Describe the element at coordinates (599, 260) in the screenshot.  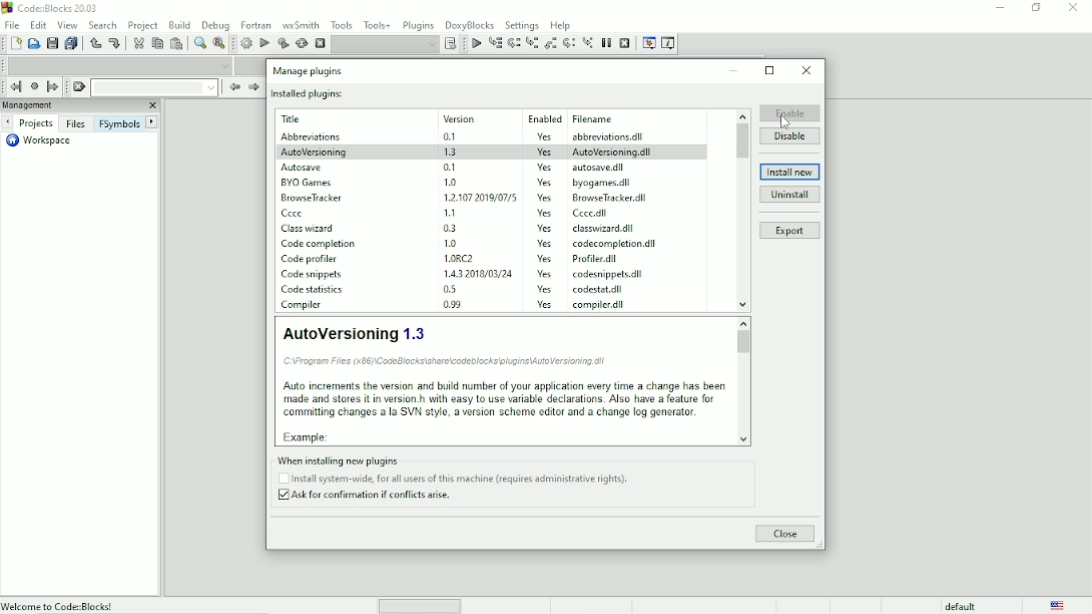
I see `file` at that location.